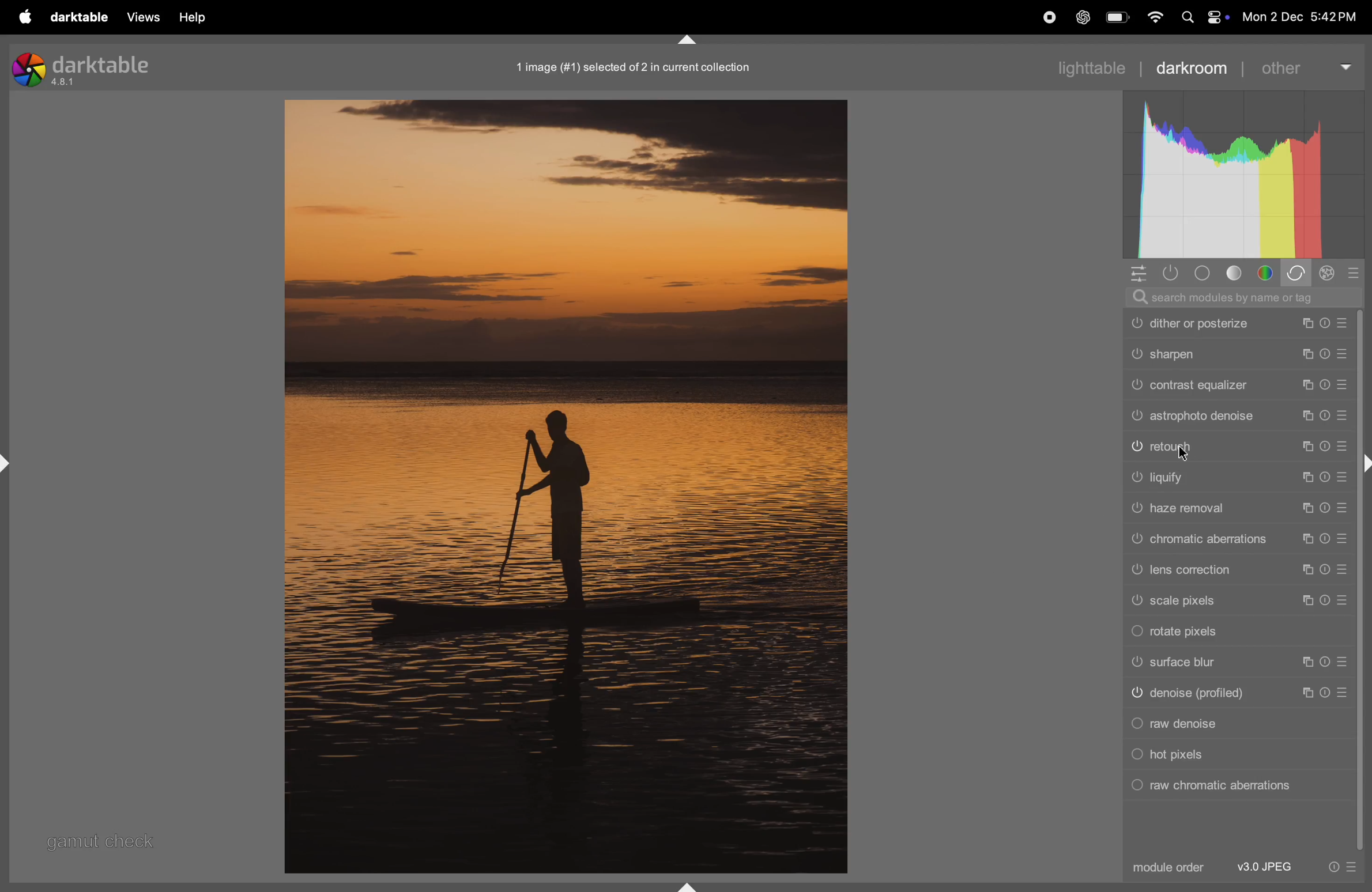  What do you see at coordinates (1118, 18) in the screenshot?
I see `battery` at bounding box center [1118, 18].